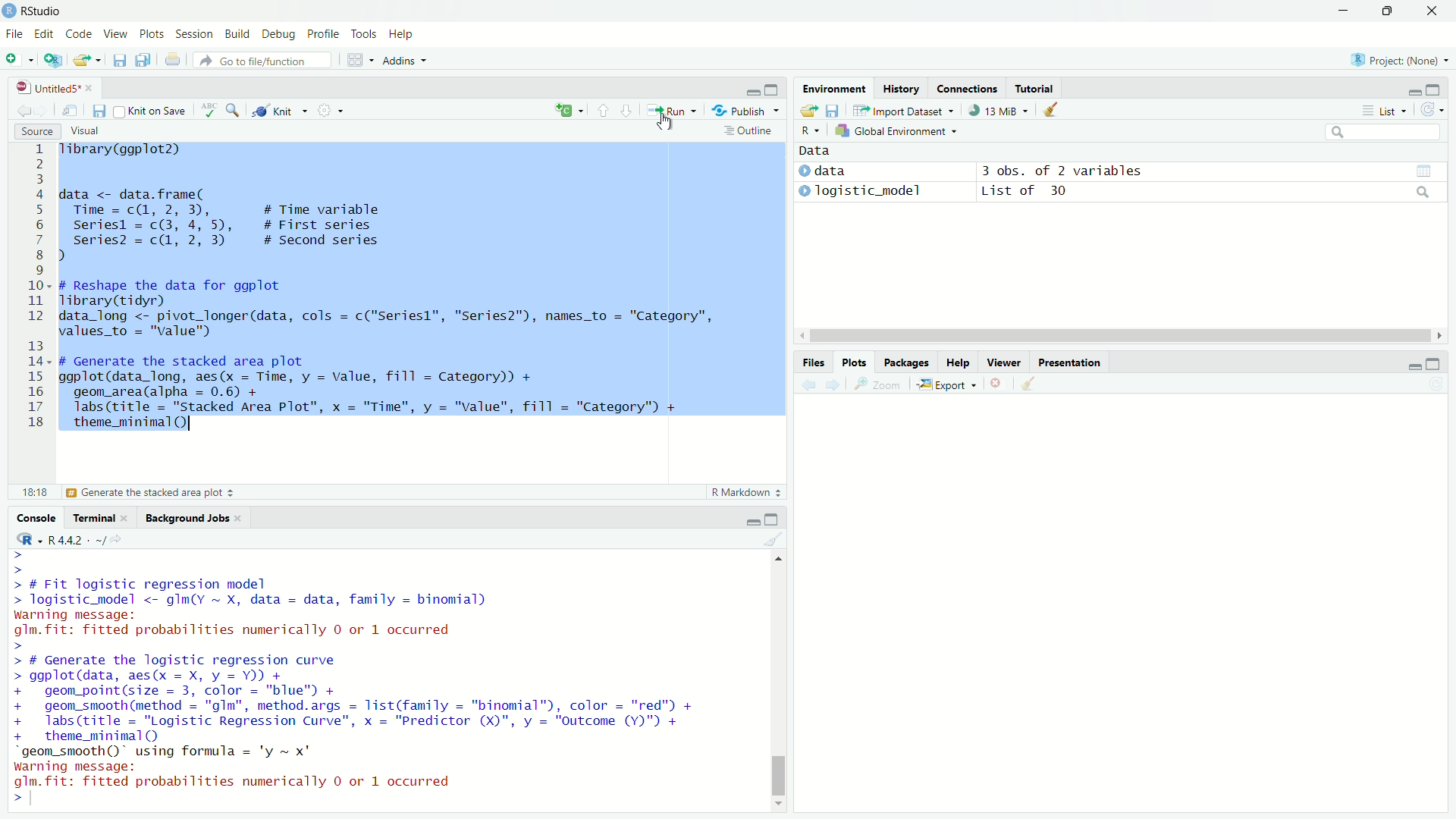  What do you see at coordinates (265, 60) in the screenshot?
I see `Go to file/function` at bounding box center [265, 60].